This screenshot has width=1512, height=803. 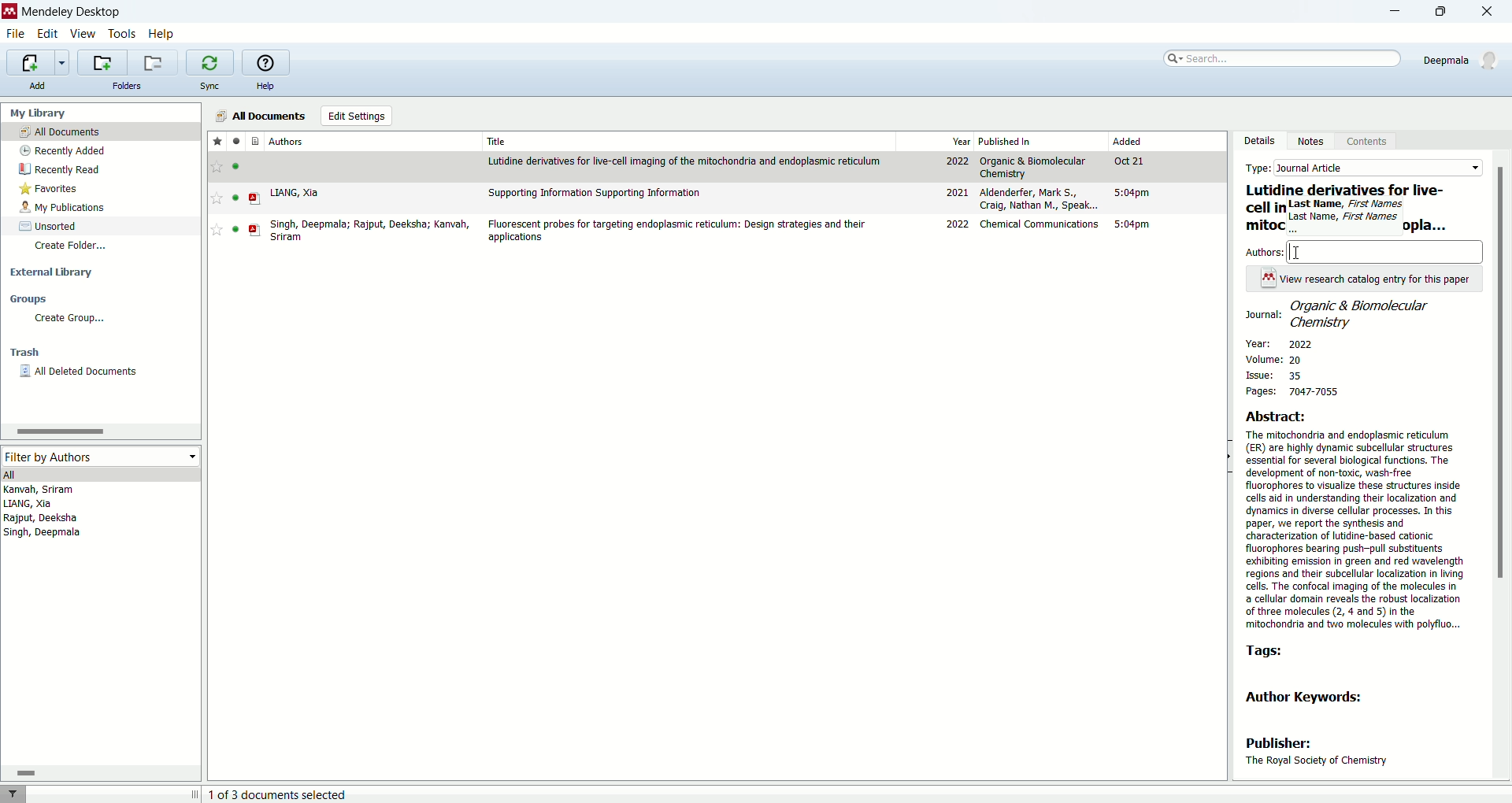 I want to click on account, so click(x=1465, y=58).